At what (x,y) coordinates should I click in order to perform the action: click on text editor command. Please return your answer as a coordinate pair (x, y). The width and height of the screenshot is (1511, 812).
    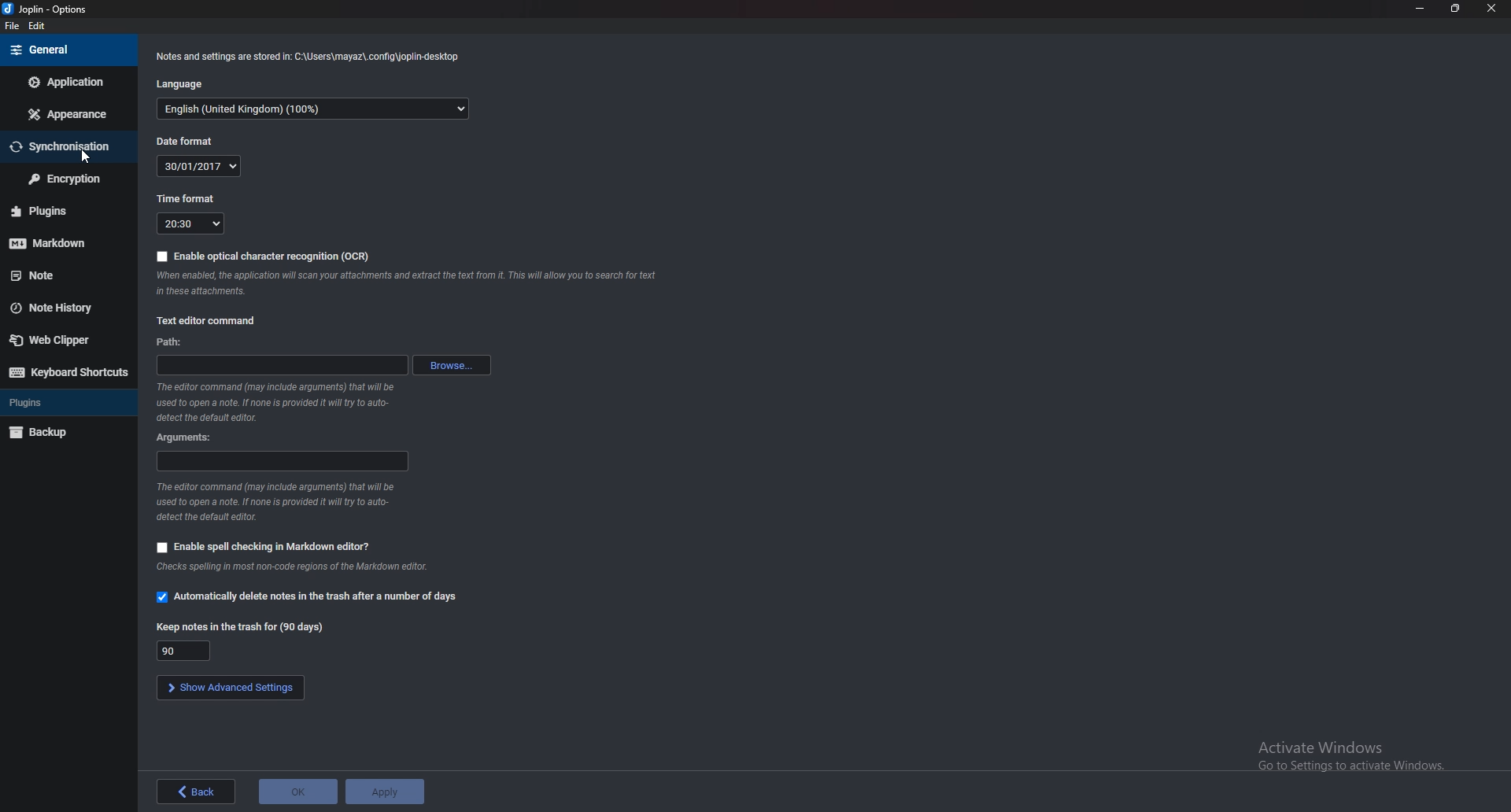
    Looking at the image, I should click on (206, 320).